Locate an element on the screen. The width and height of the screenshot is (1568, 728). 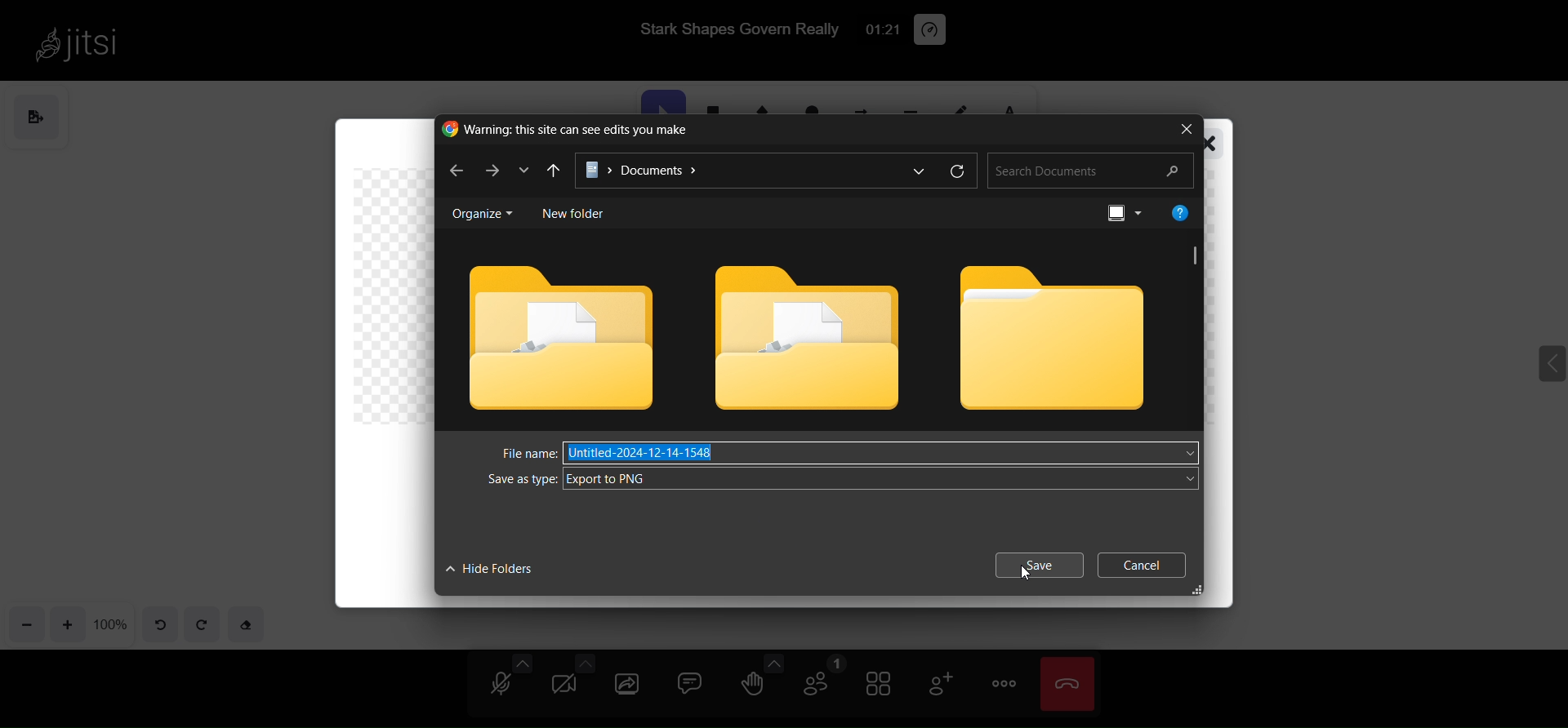
invite people is located at coordinates (939, 685).